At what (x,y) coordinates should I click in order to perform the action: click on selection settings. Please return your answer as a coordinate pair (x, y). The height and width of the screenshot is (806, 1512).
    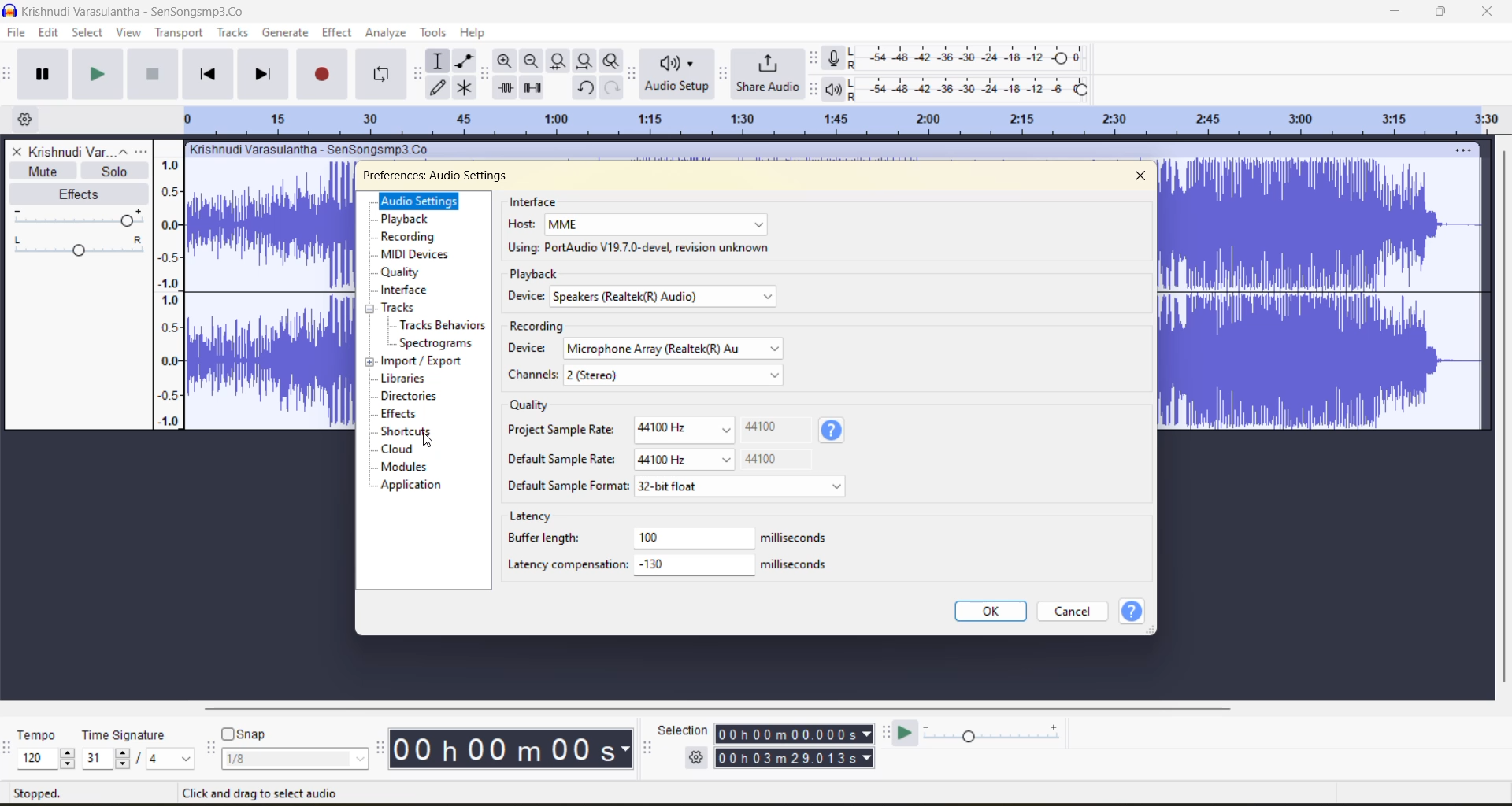
    Looking at the image, I should click on (697, 757).